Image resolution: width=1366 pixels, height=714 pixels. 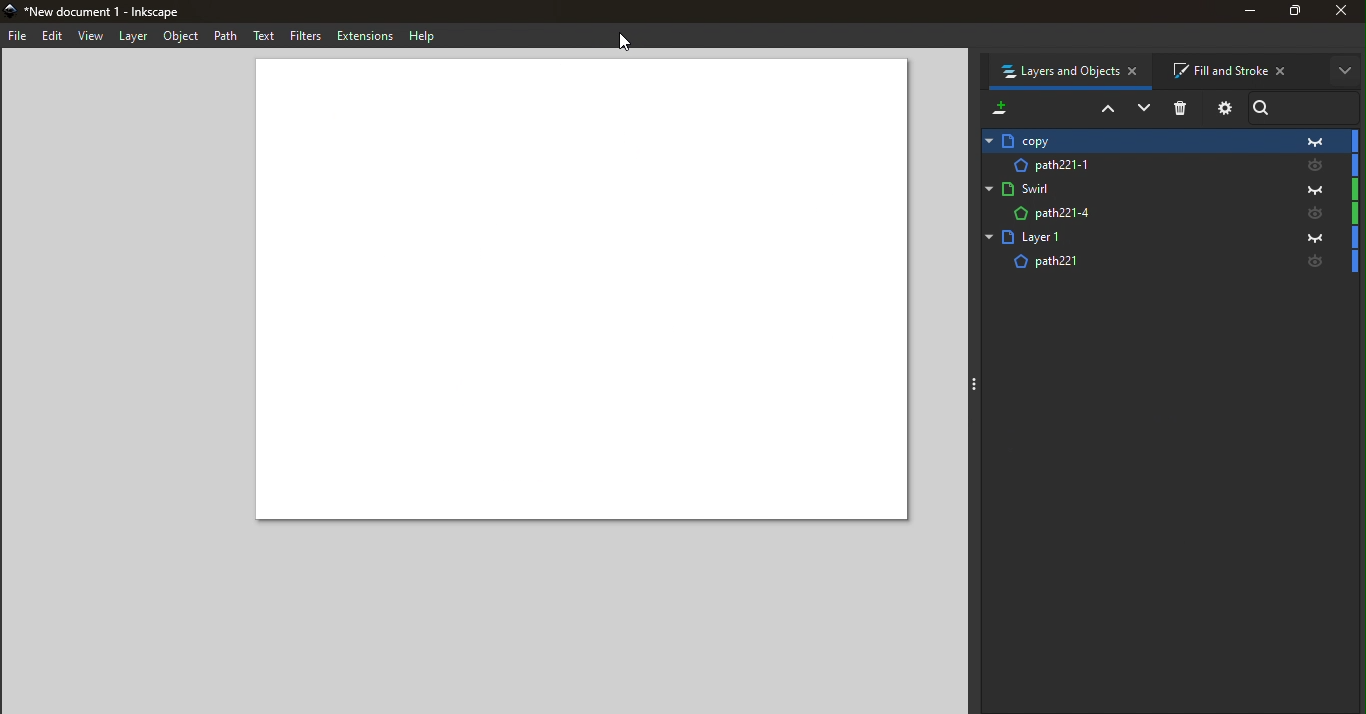 I want to click on Layer, so click(x=1131, y=262).